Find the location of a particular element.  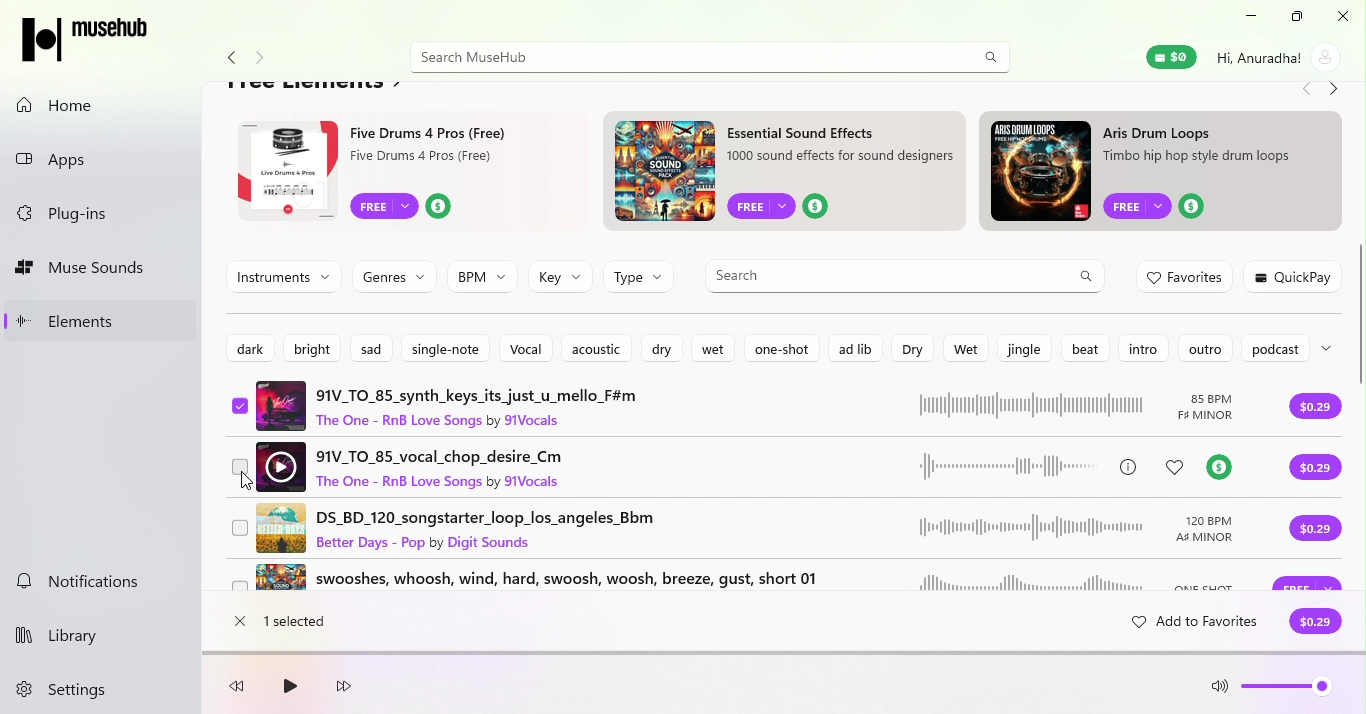

more options is located at coordinates (1332, 347).